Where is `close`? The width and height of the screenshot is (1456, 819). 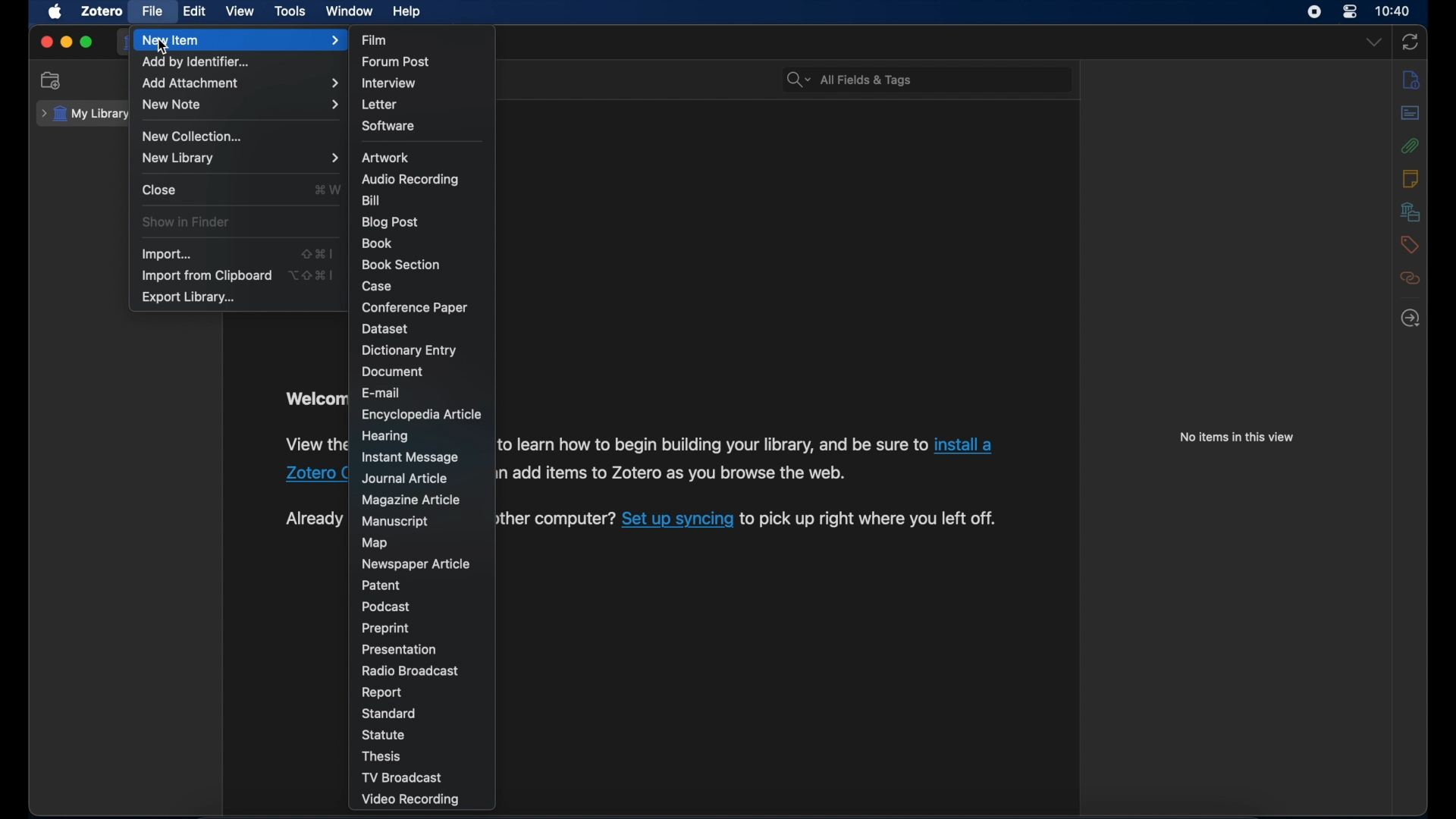 close is located at coordinates (45, 43).